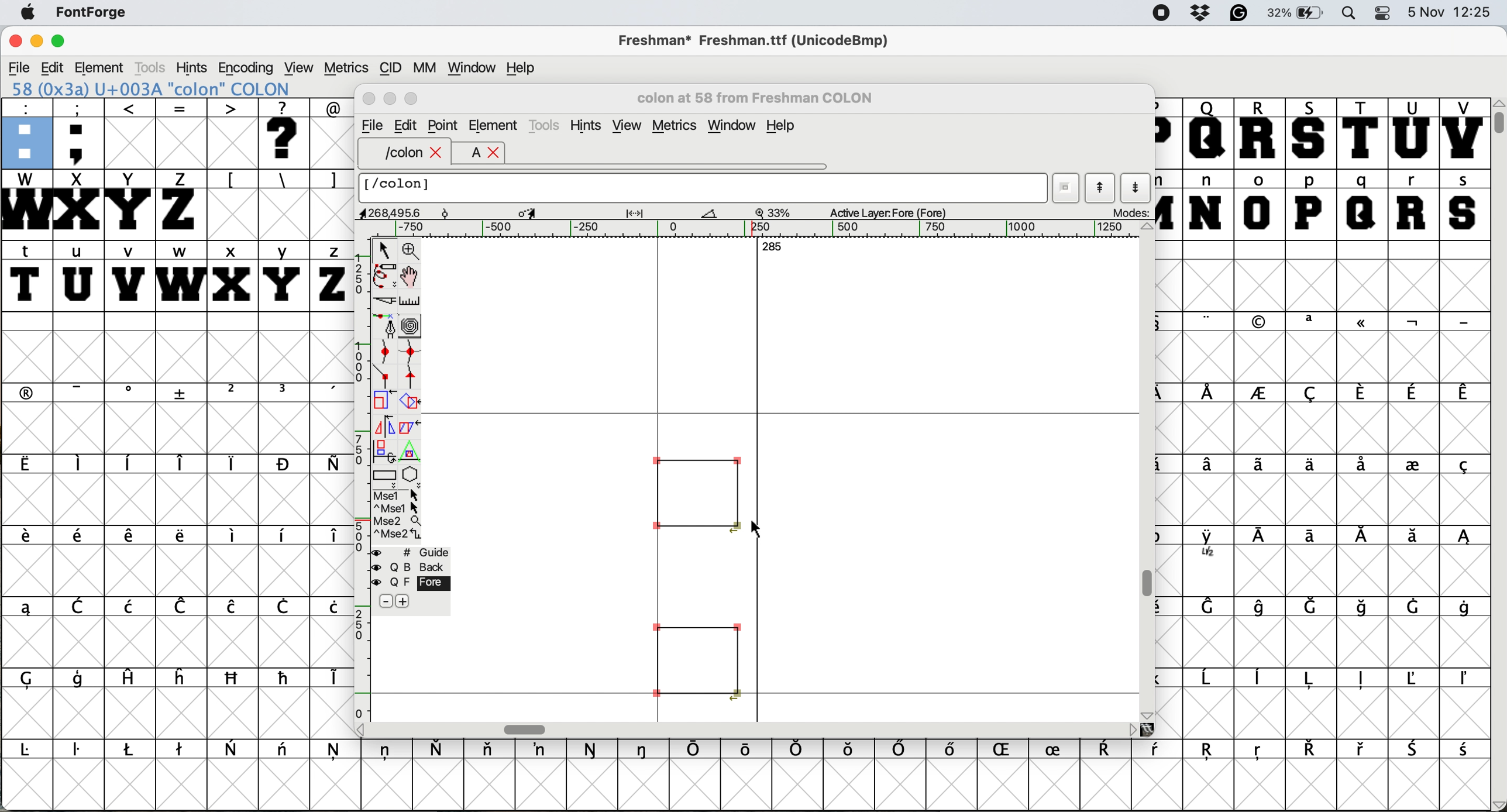 The image size is (1507, 812). Describe the element at coordinates (1208, 321) in the screenshot. I see `symbol` at that location.